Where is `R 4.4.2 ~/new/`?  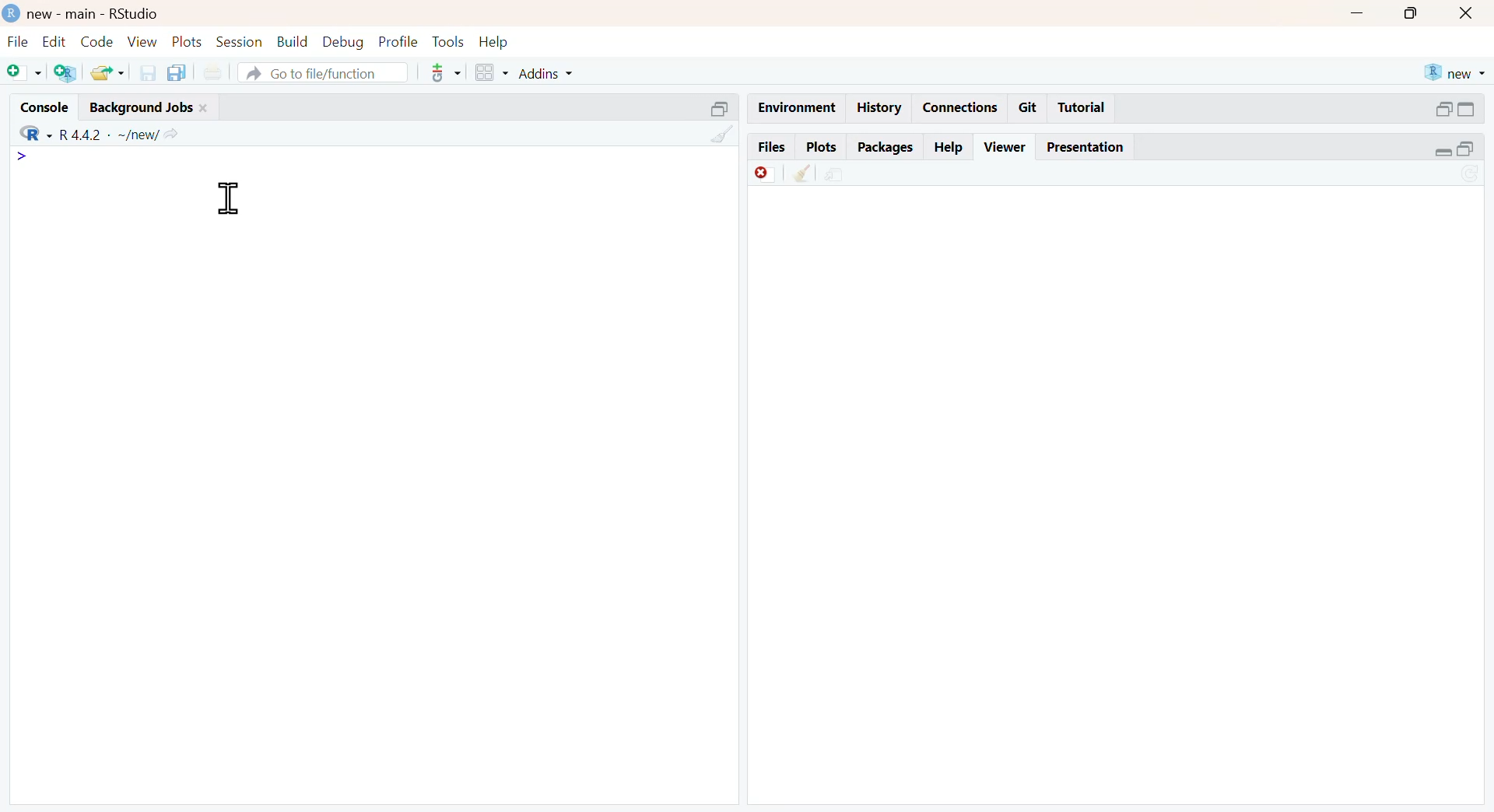 R 4.4.2 ~/new/ is located at coordinates (109, 135).